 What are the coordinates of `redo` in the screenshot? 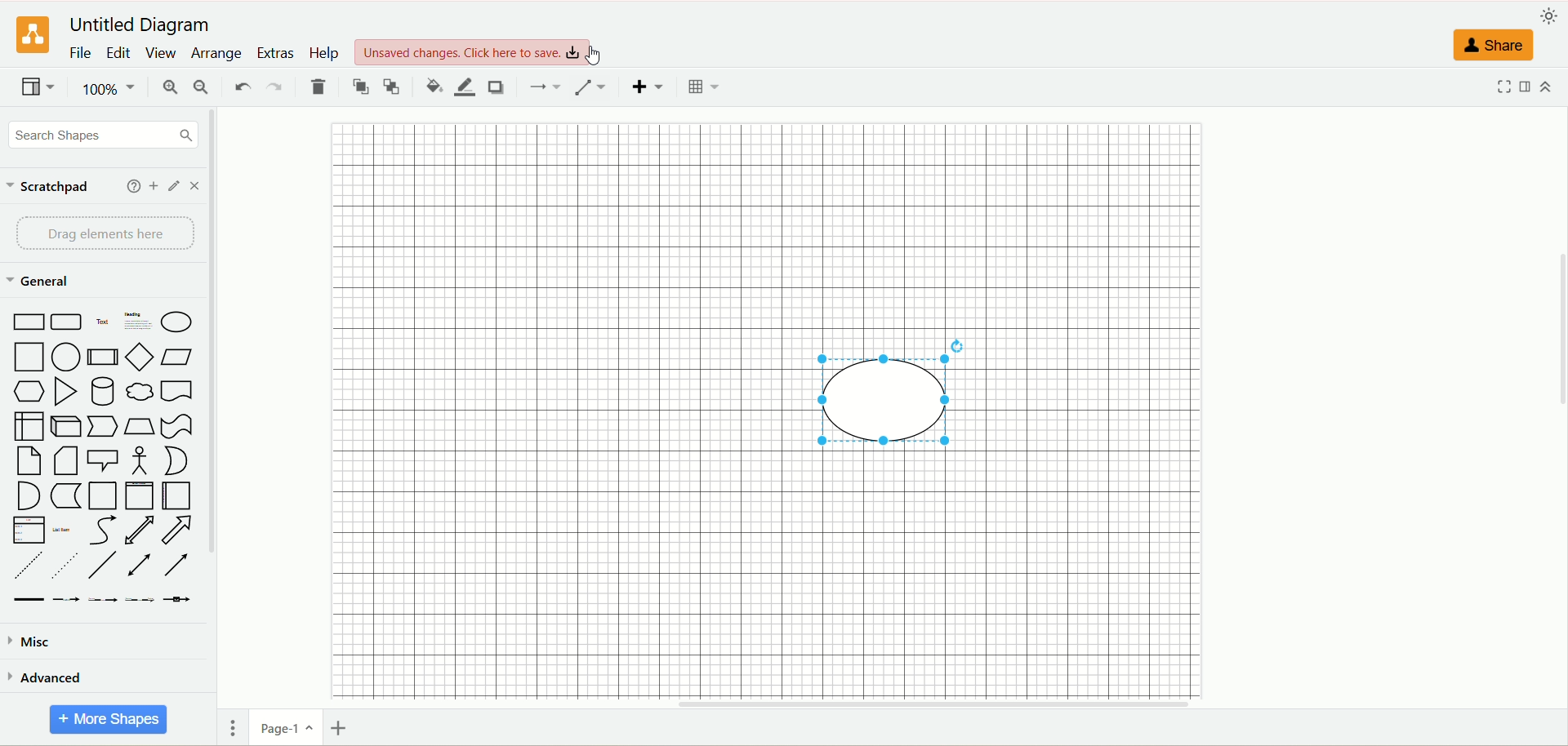 It's located at (277, 85).